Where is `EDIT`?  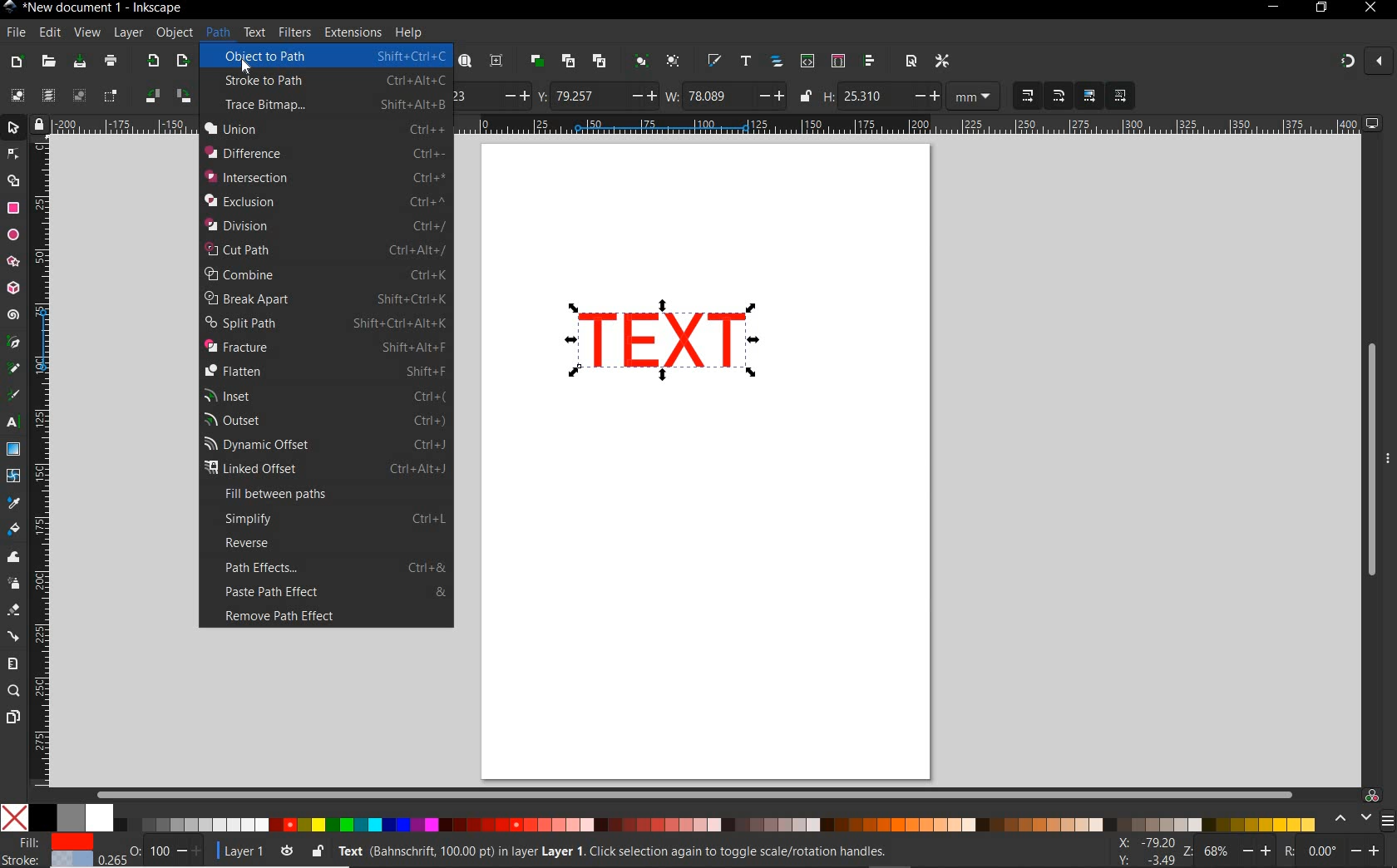 EDIT is located at coordinates (47, 33).